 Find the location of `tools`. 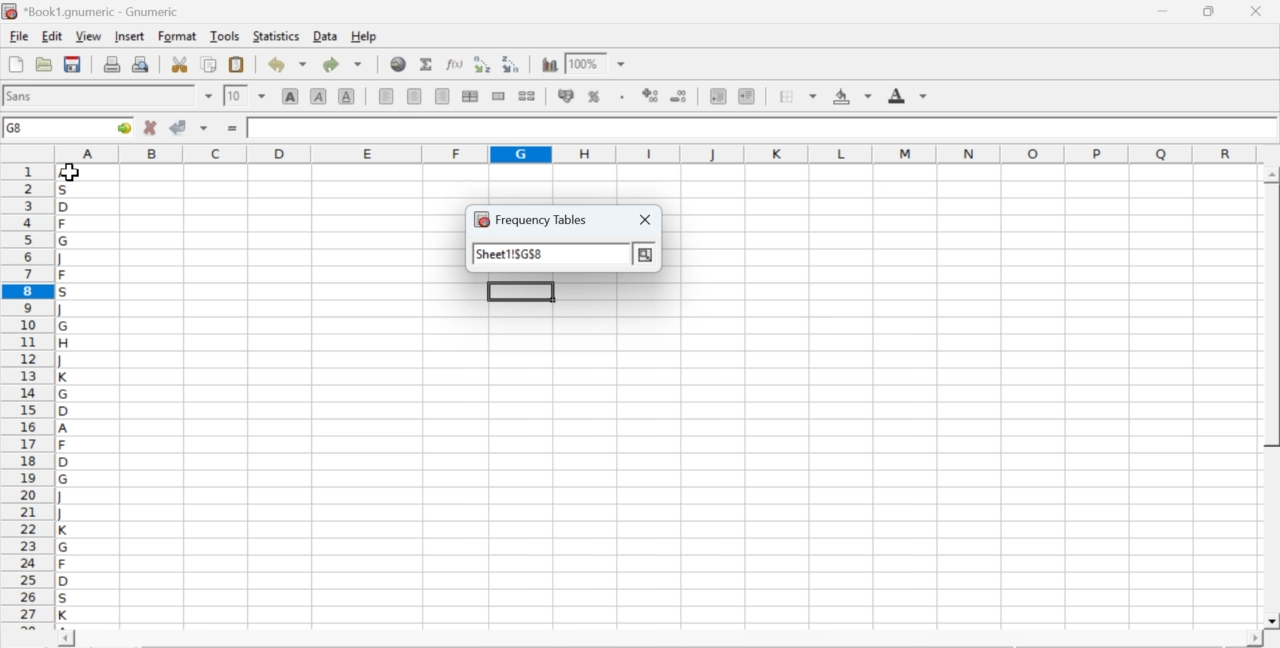

tools is located at coordinates (226, 35).